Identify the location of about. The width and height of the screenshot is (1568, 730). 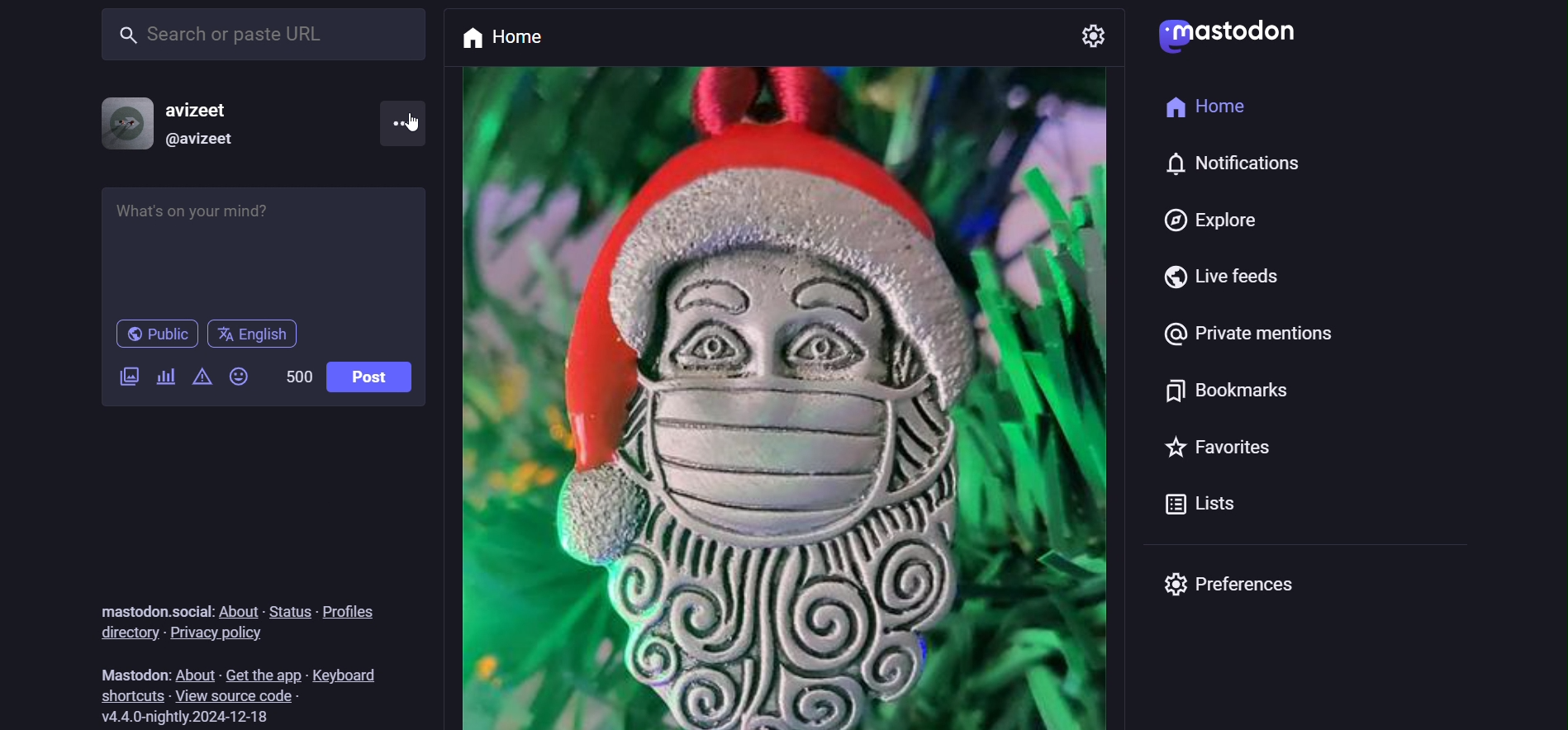
(197, 675).